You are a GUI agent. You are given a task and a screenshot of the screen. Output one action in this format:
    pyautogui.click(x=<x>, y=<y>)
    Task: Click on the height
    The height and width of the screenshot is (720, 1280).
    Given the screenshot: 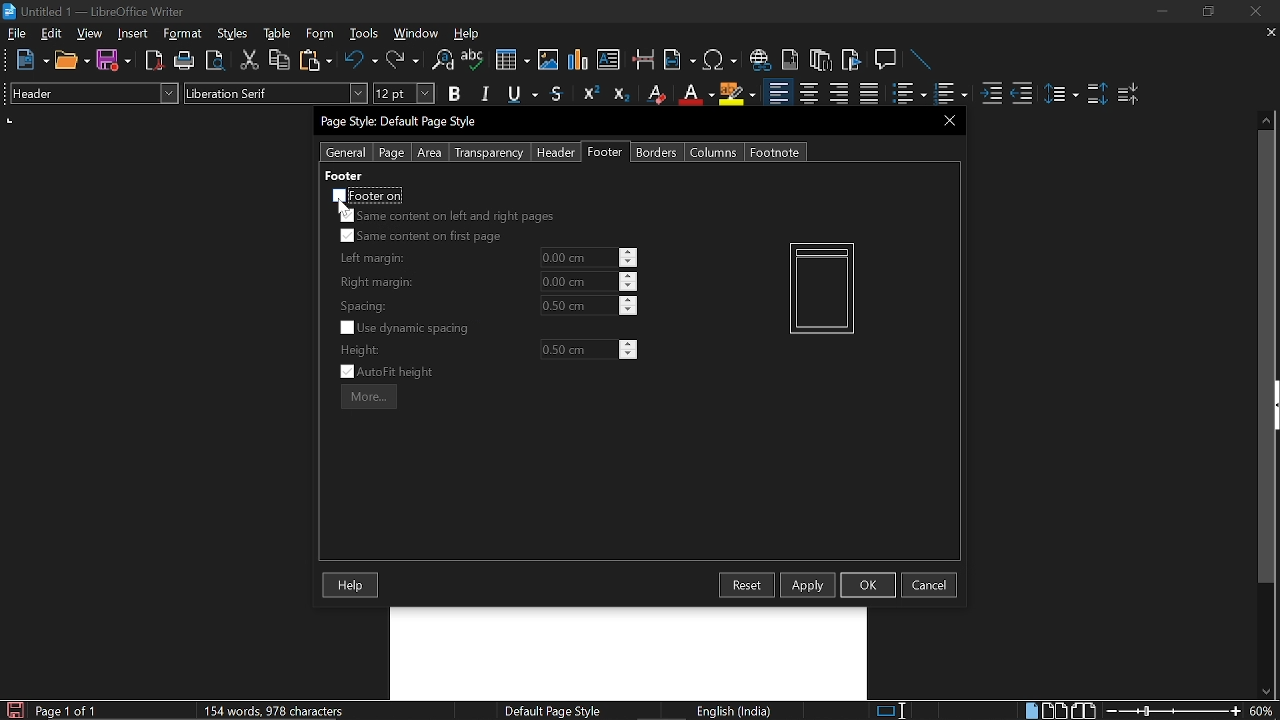 What is the action you would take?
    pyautogui.click(x=360, y=350)
    